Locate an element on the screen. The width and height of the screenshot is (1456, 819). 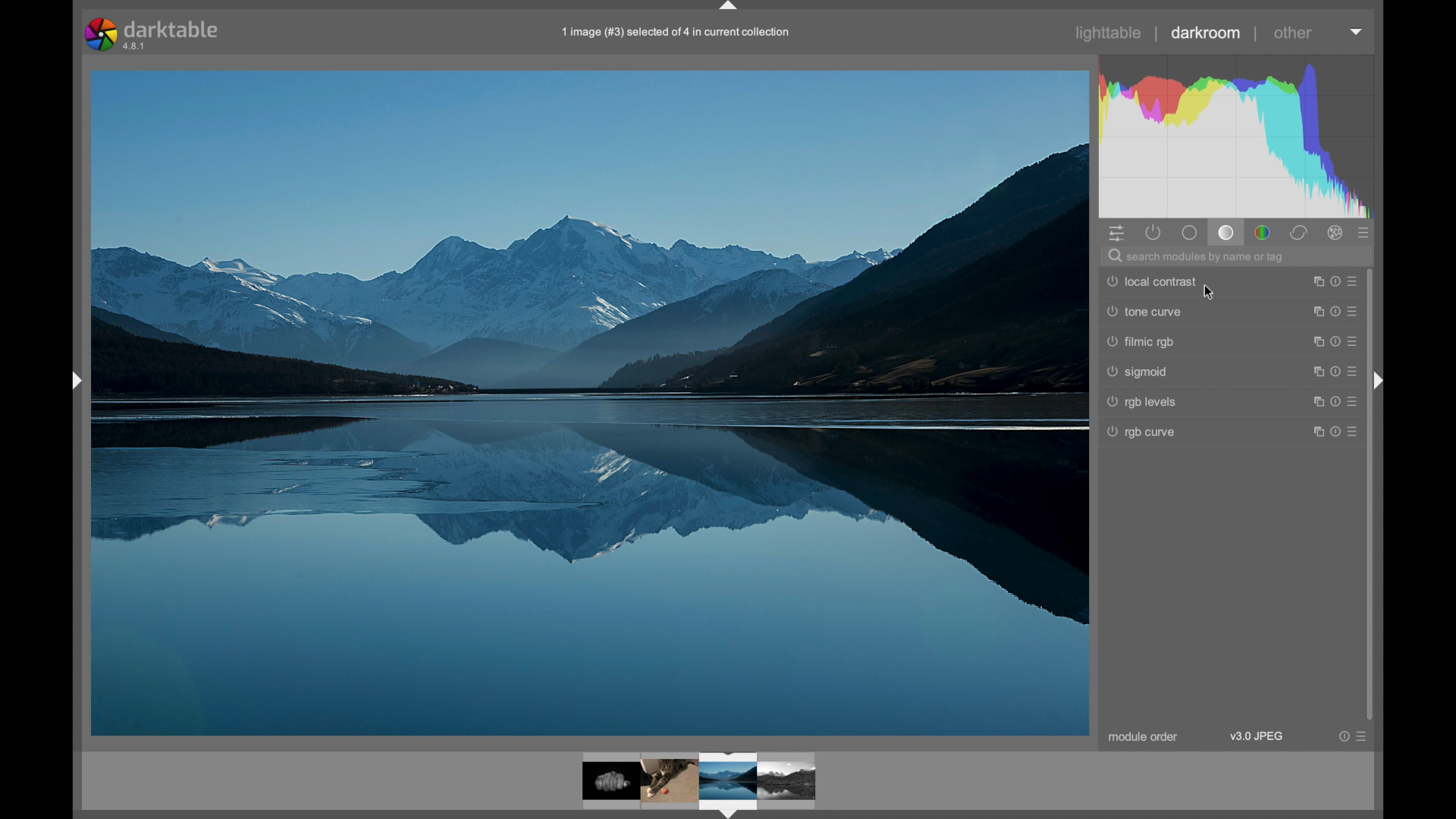
v3.9 jpeg is located at coordinates (1257, 736).